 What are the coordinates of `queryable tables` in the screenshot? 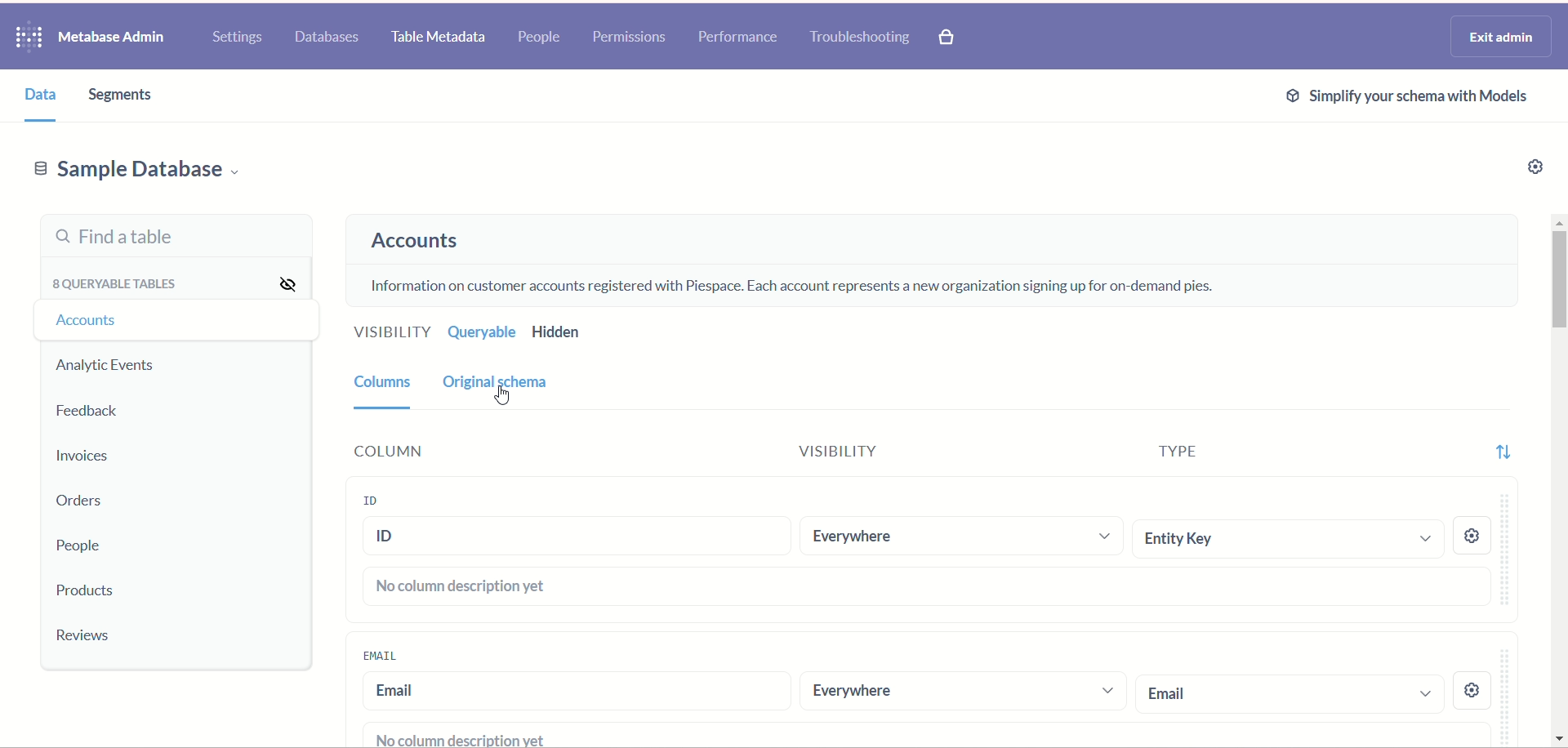 It's located at (114, 286).